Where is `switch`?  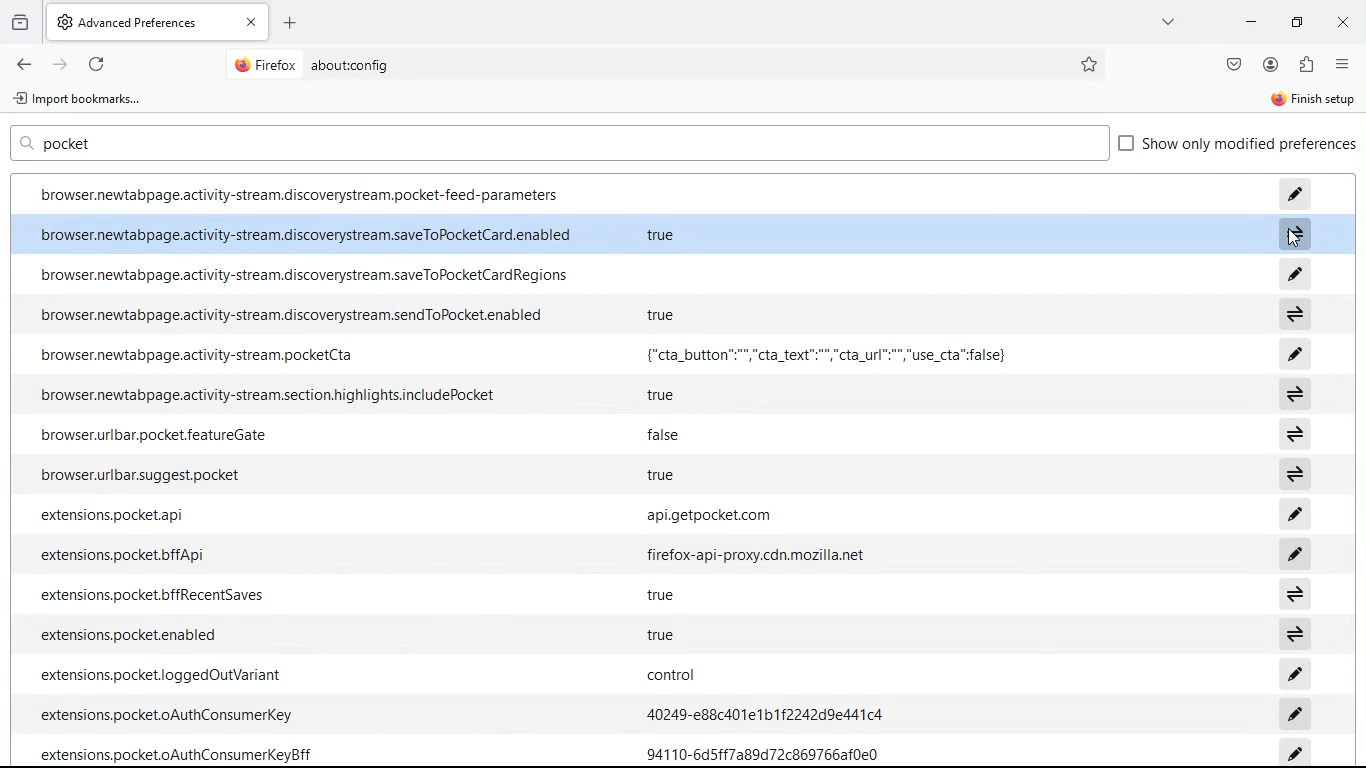
switch is located at coordinates (1296, 594).